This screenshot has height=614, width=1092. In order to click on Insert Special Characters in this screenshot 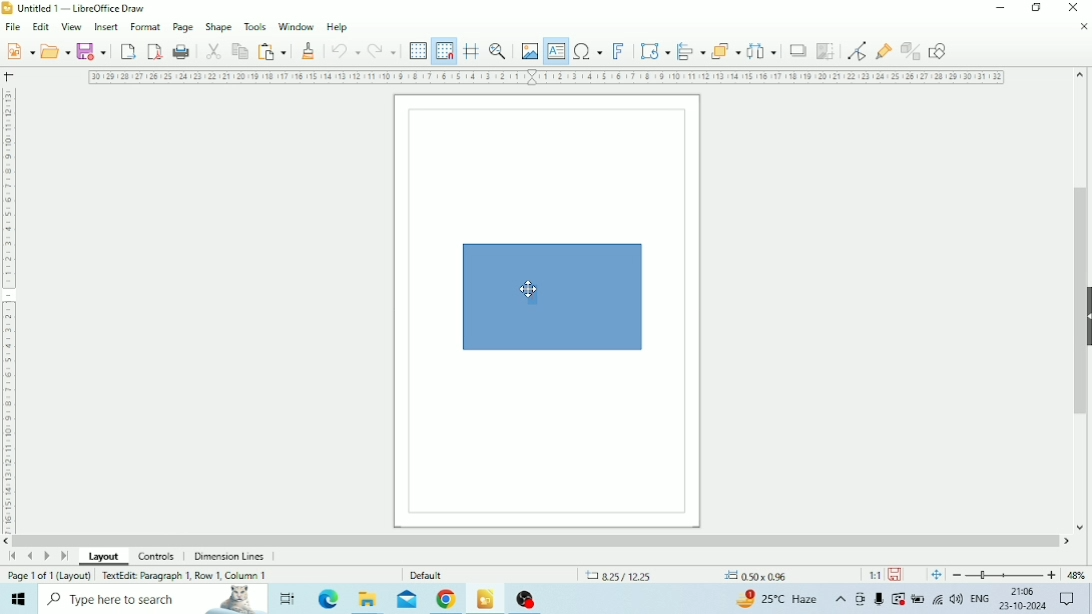, I will do `click(588, 51)`.